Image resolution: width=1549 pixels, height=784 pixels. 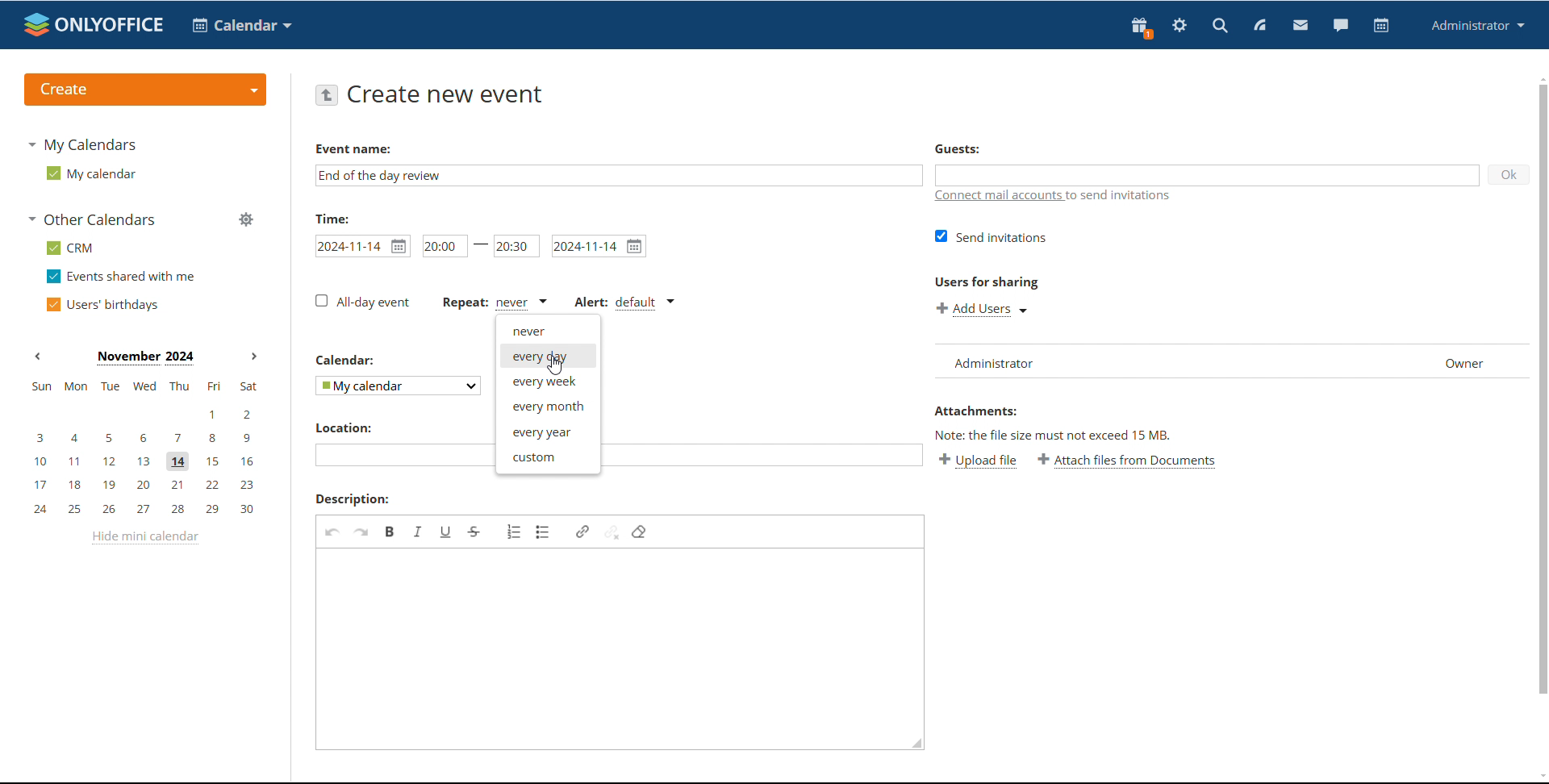 What do you see at coordinates (148, 485) in the screenshot?
I see `17, 18, 19, 20, 21, 22, 23` at bounding box center [148, 485].